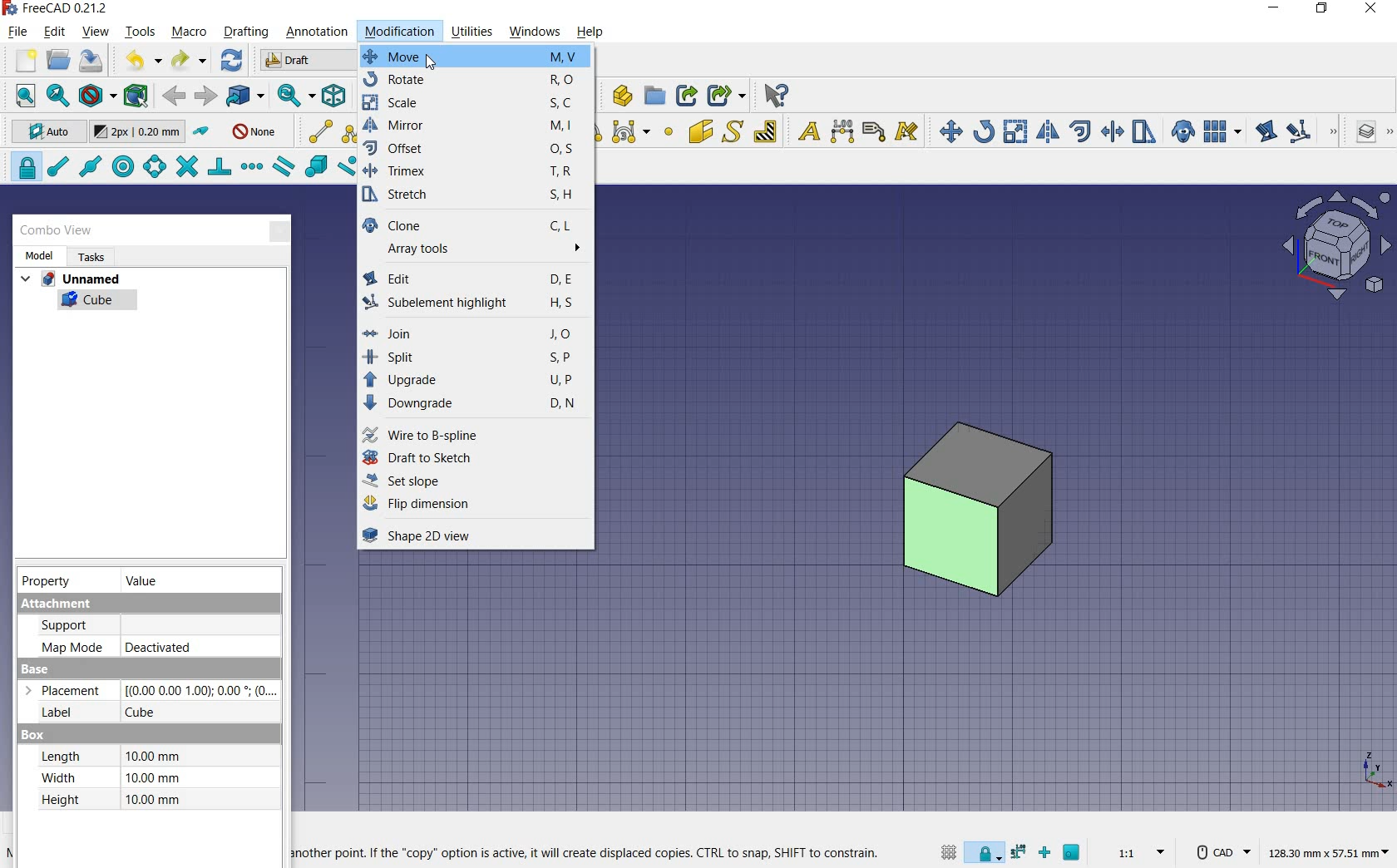  What do you see at coordinates (1328, 851) in the screenshot?
I see `dimension` at bounding box center [1328, 851].